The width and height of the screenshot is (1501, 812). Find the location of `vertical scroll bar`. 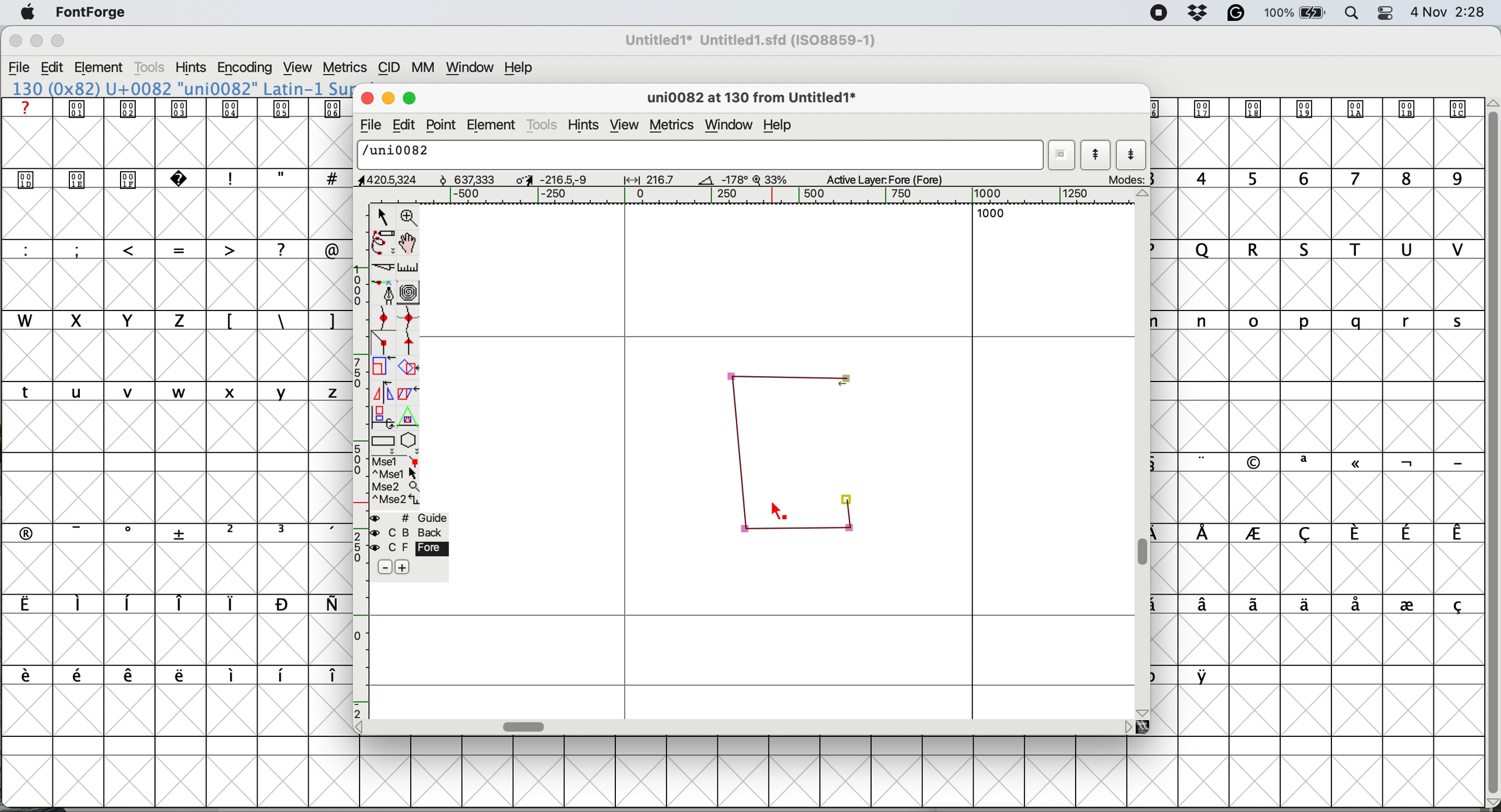

vertical scroll bar is located at coordinates (1146, 553).